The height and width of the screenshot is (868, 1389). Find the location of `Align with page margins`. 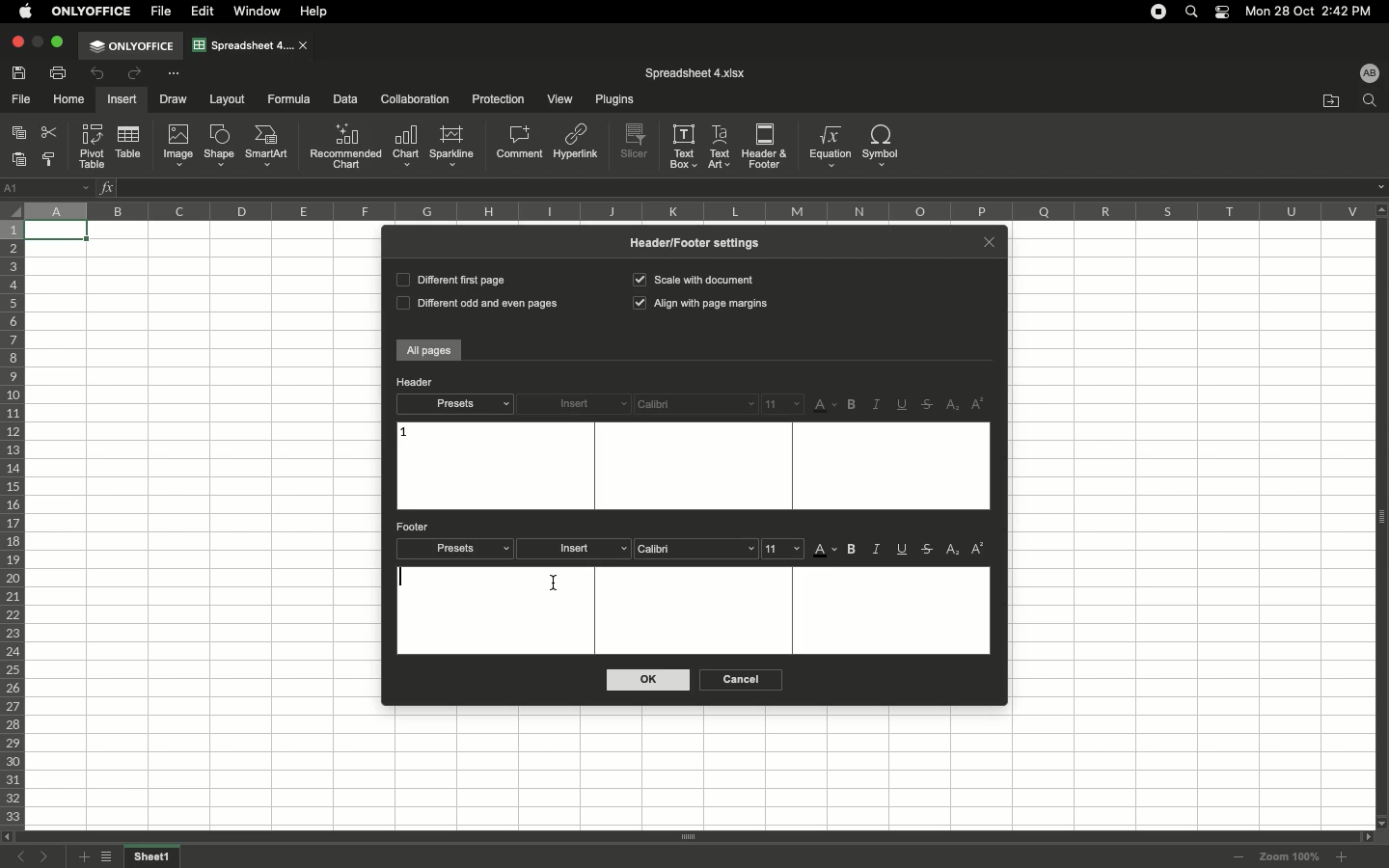

Align with page margins is located at coordinates (702, 305).